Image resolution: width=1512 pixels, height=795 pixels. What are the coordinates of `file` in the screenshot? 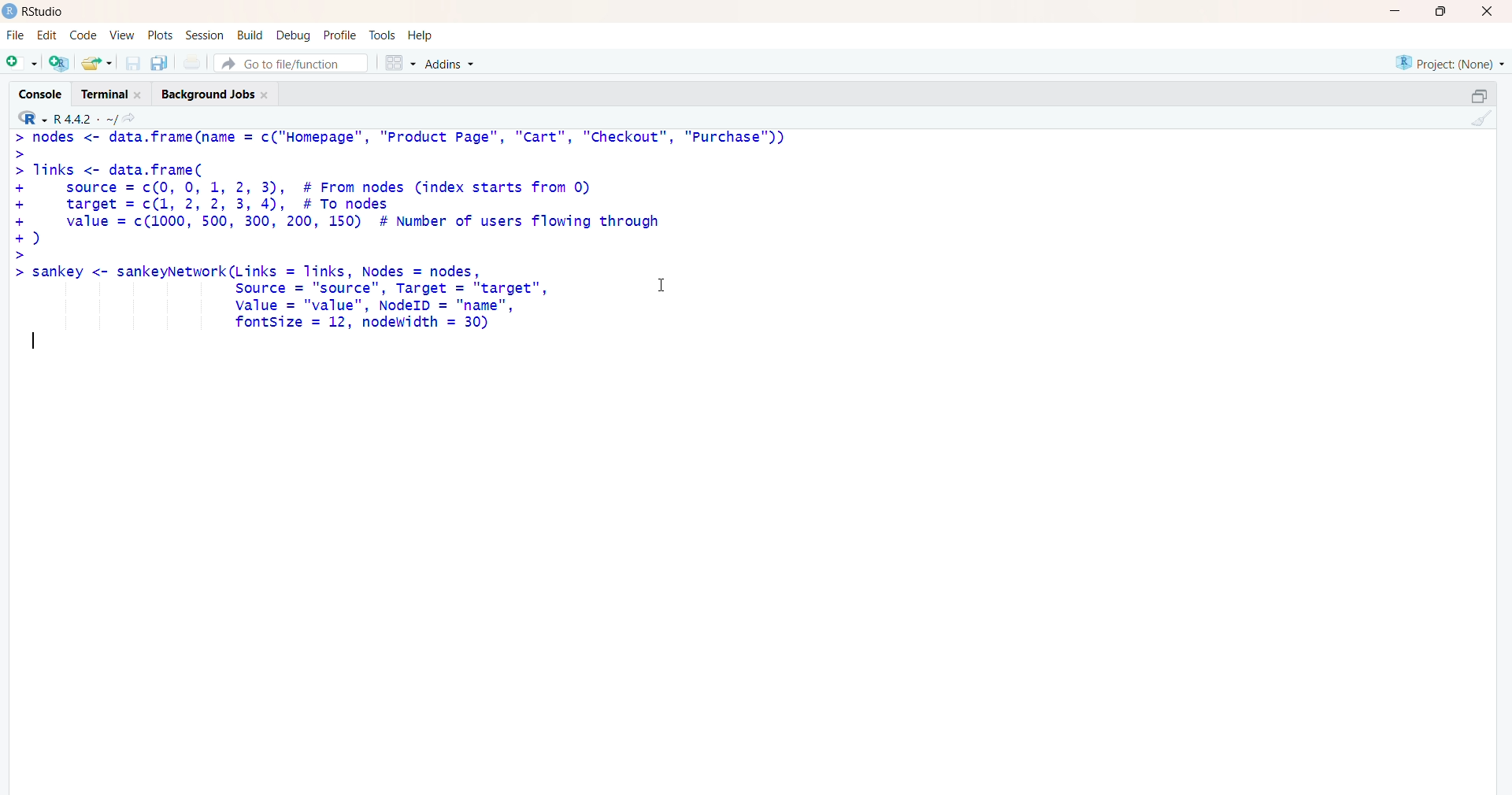 It's located at (15, 32).